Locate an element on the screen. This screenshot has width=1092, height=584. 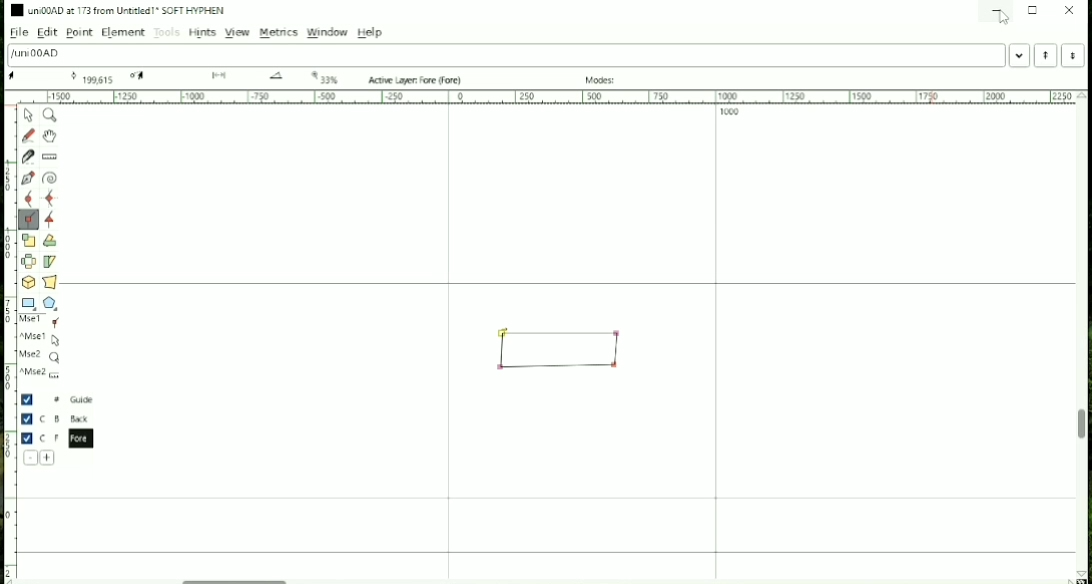
Cut splines in two is located at coordinates (28, 157).